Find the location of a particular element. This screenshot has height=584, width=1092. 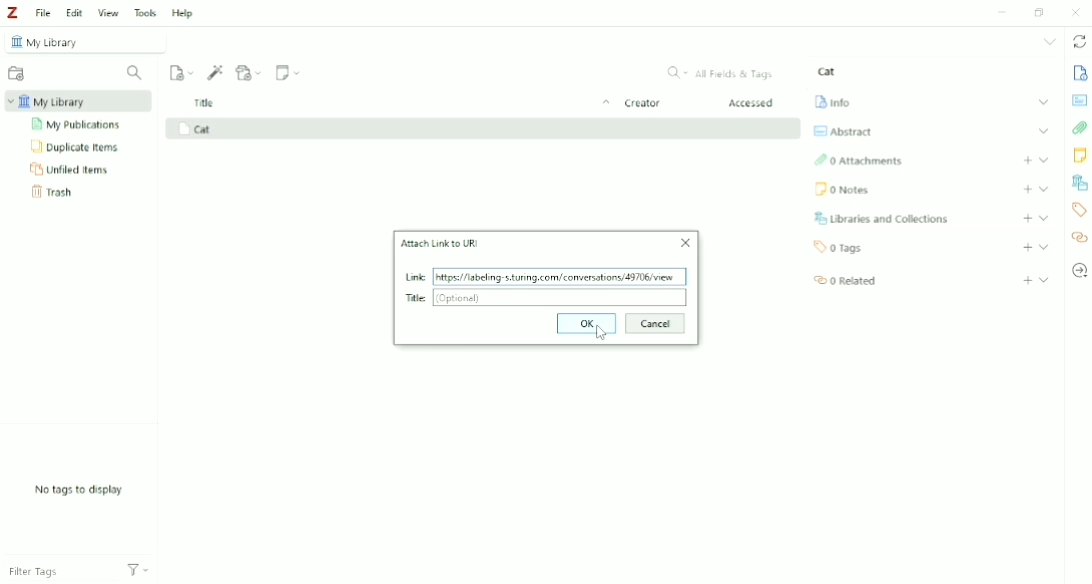

Filter Collections is located at coordinates (135, 73).